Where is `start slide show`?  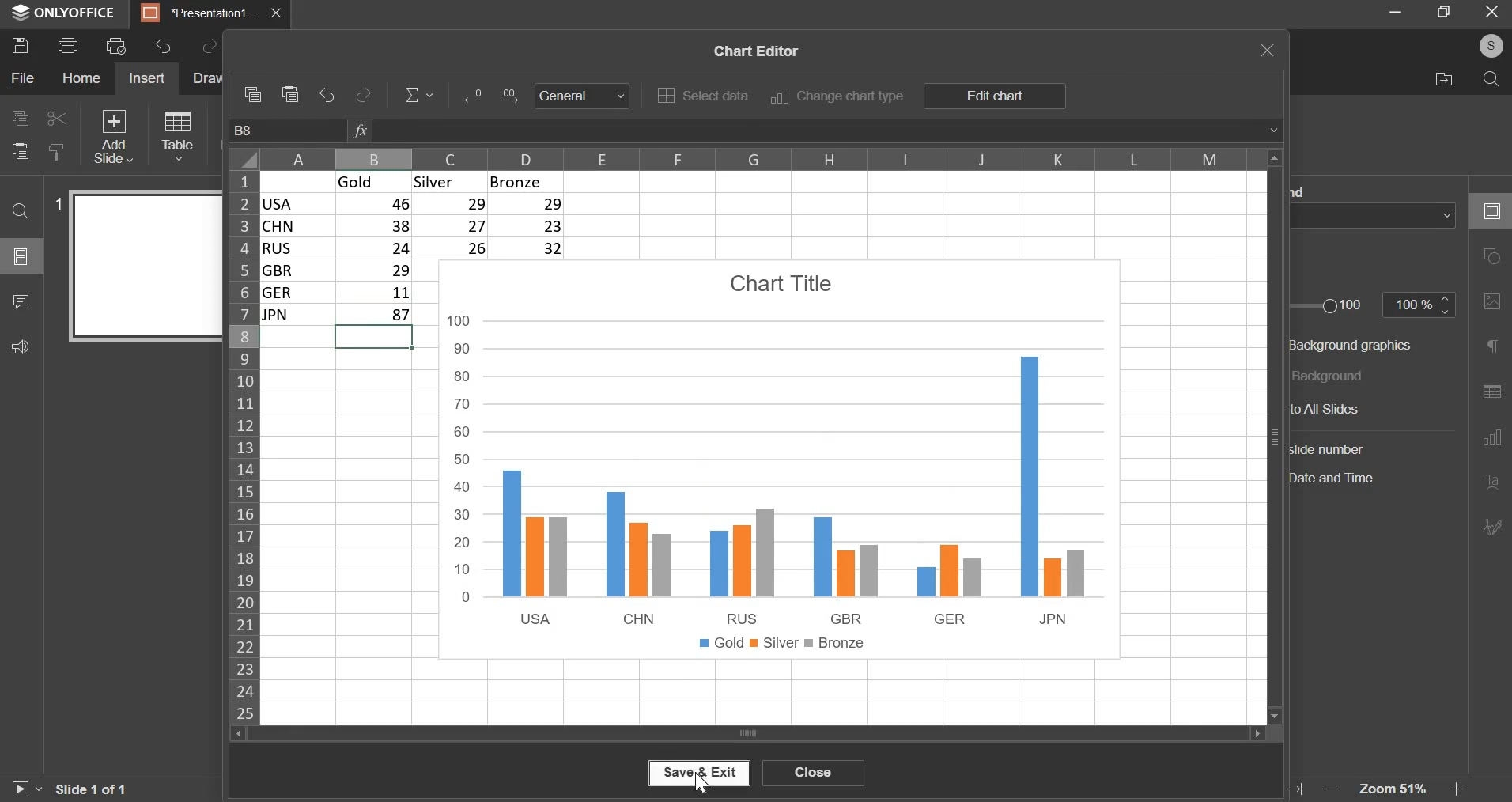
start slide show is located at coordinates (25, 789).